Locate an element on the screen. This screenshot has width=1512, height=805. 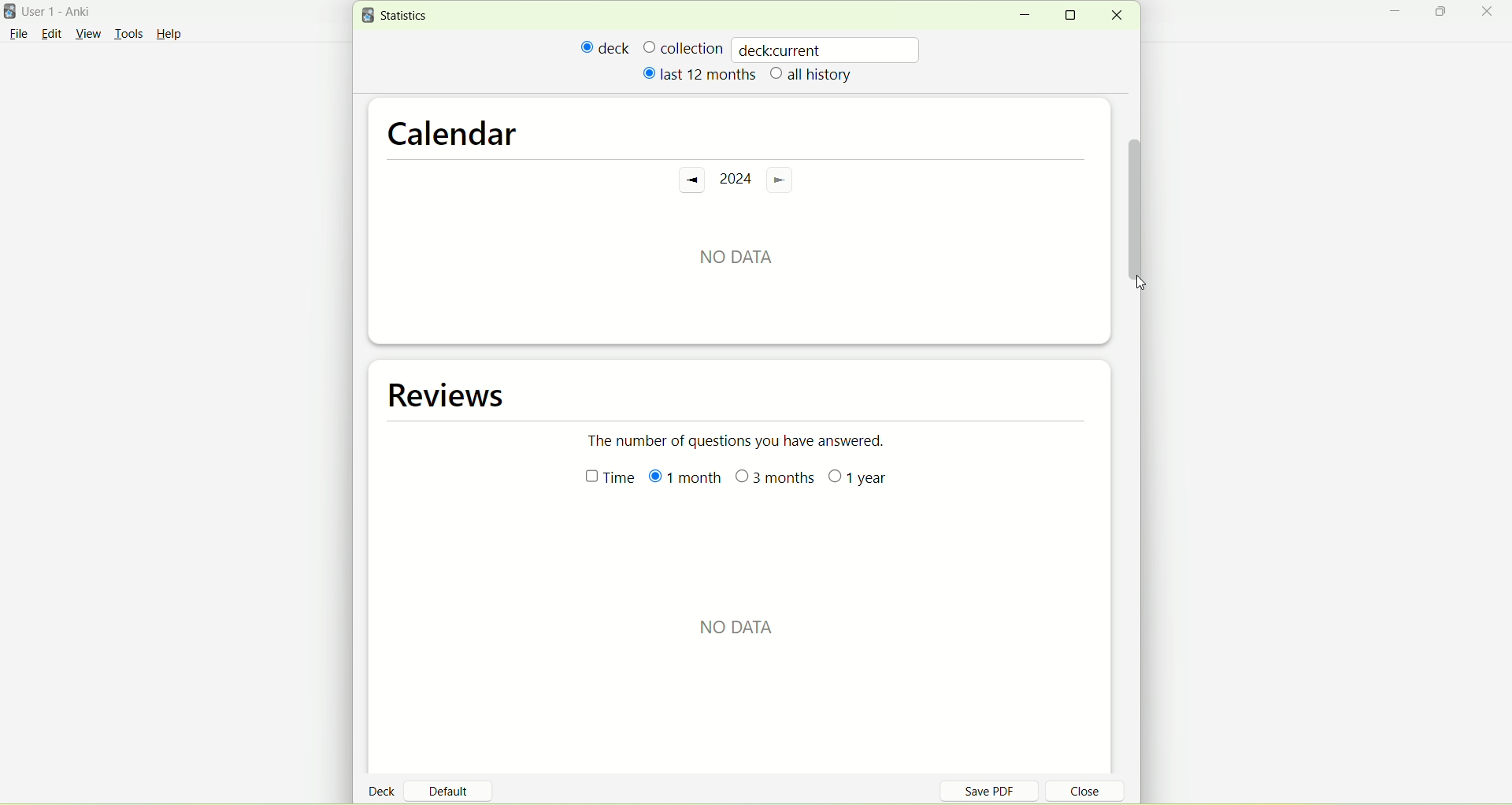
close is located at coordinates (1116, 16).